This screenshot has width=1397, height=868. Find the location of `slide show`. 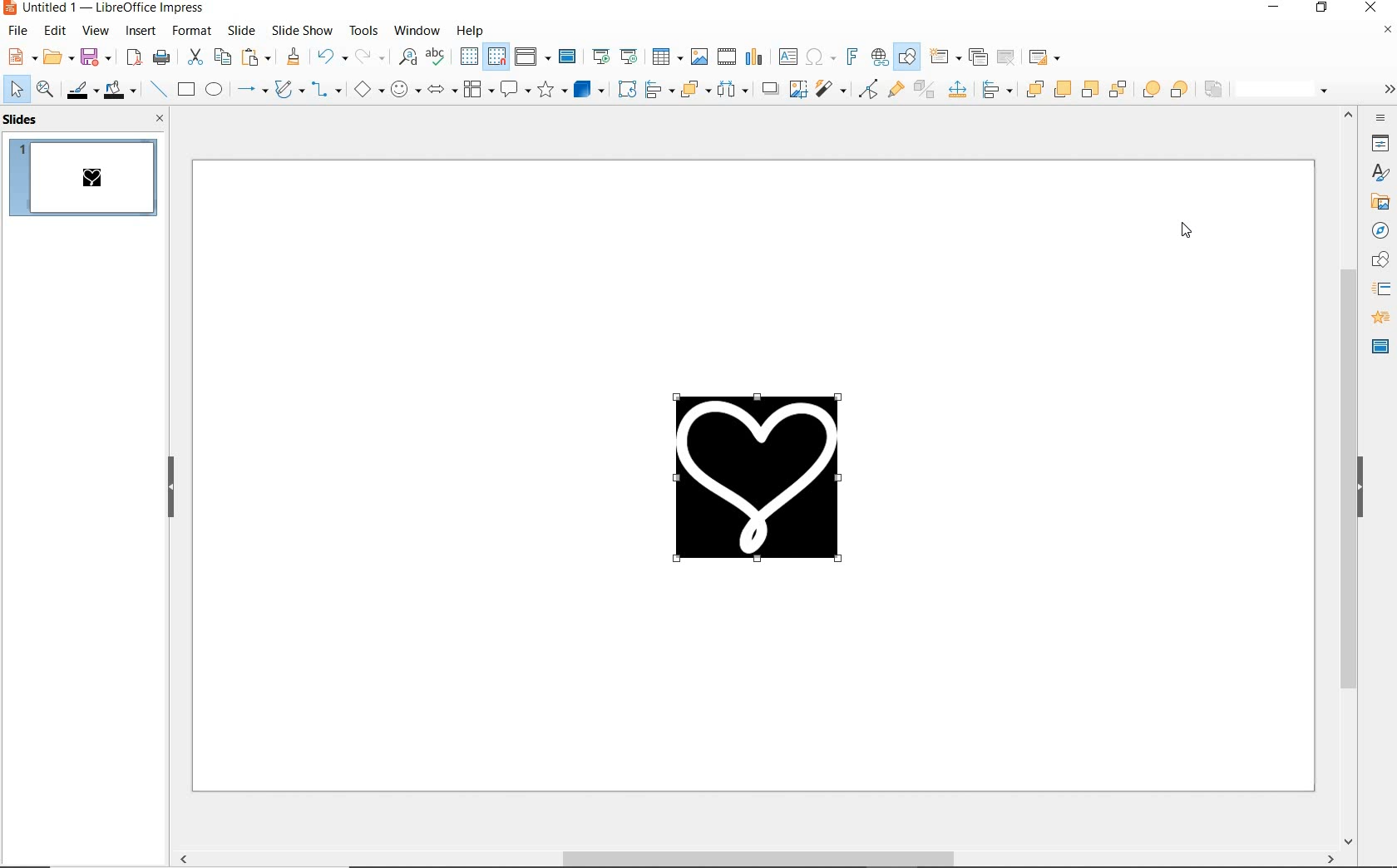

slide show is located at coordinates (300, 30).